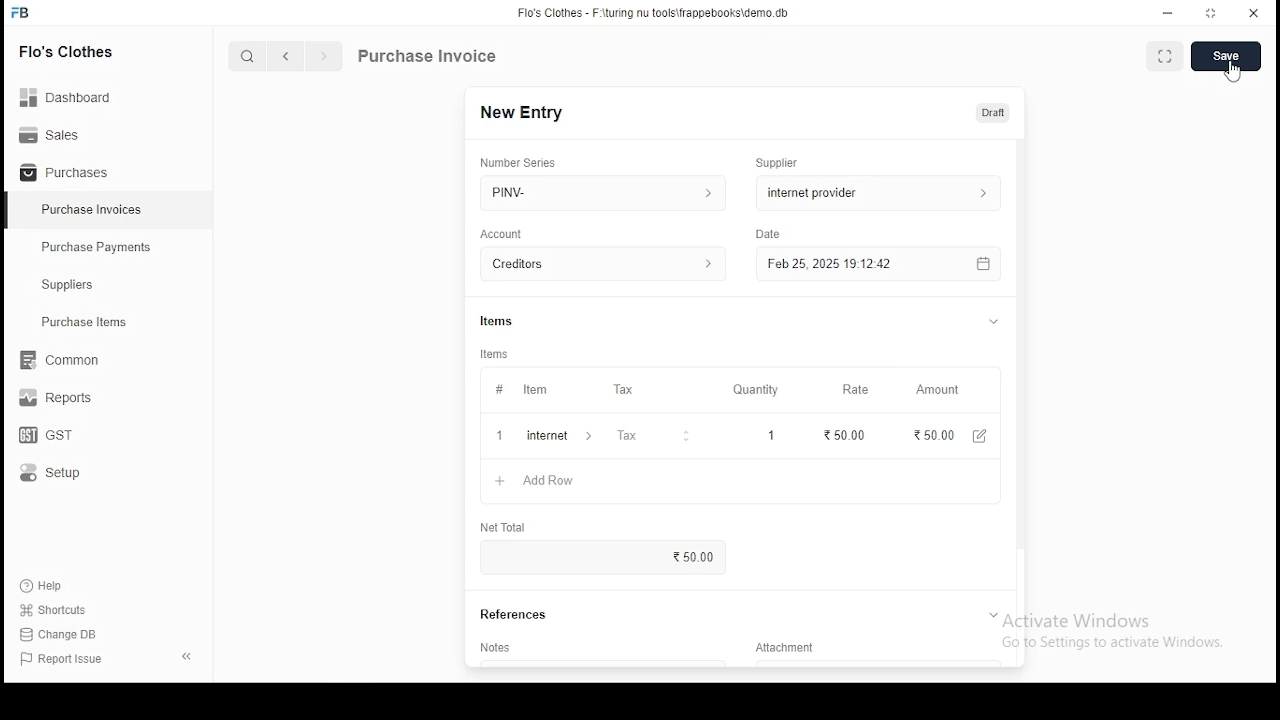 This screenshot has height=720, width=1280. What do you see at coordinates (499, 391) in the screenshot?
I see `#` at bounding box center [499, 391].